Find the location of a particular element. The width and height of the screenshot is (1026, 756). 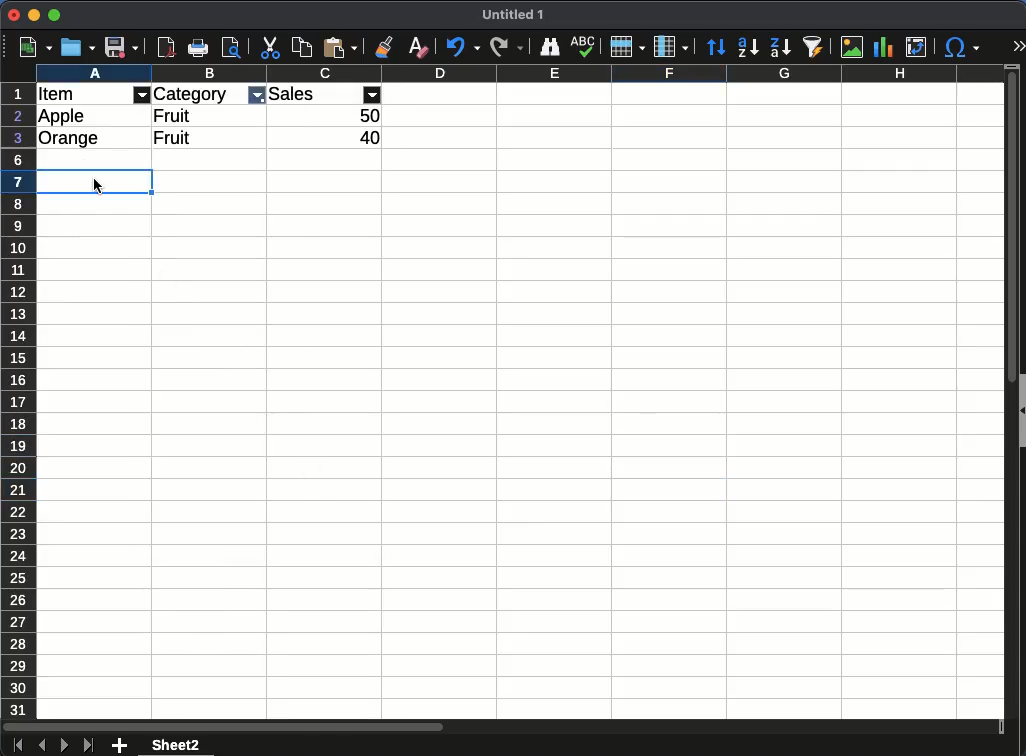

Category is located at coordinates (192, 94).